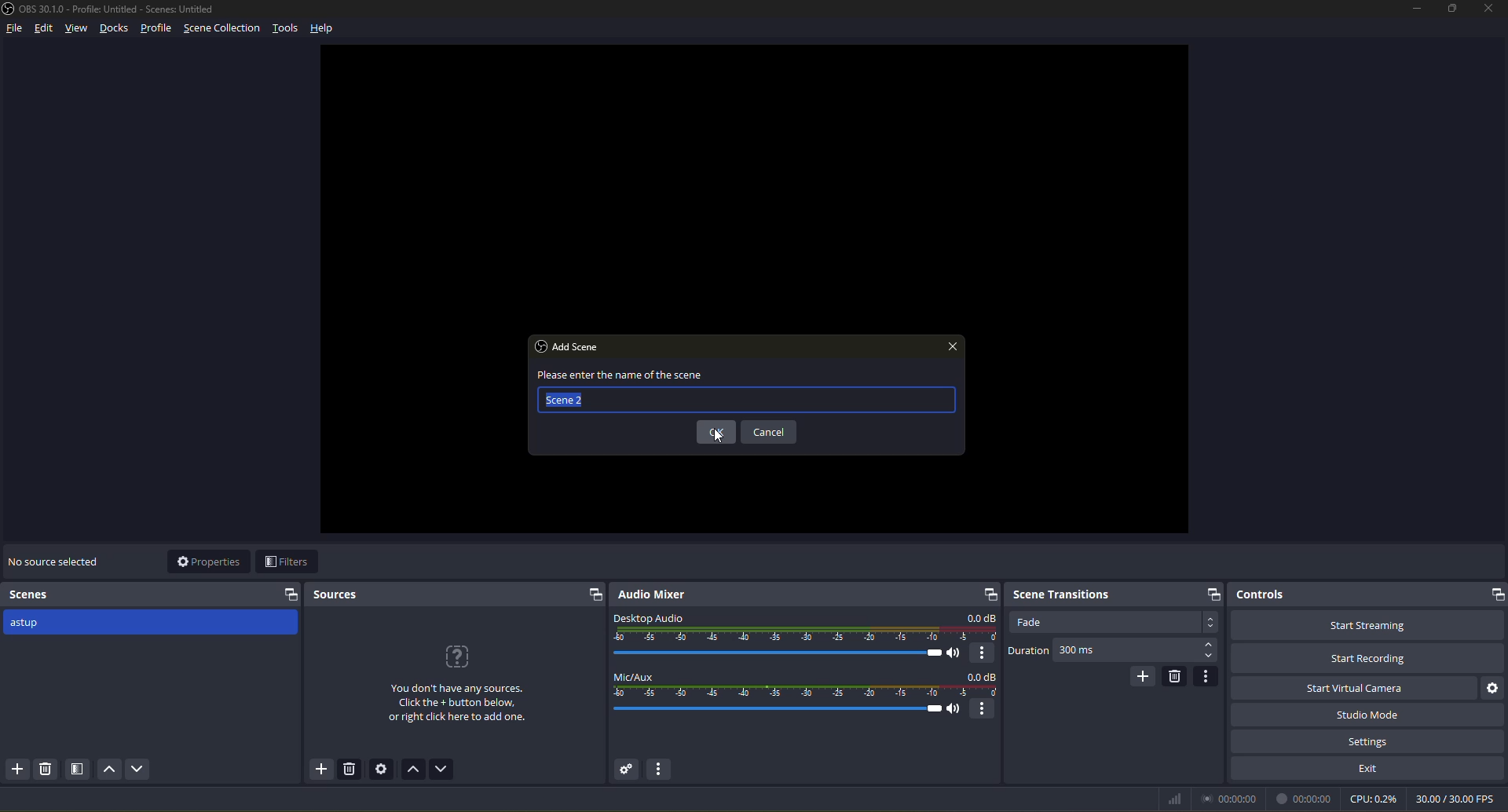  Describe the element at coordinates (139, 768) in the screenshot. I see `move scene down` at that location.